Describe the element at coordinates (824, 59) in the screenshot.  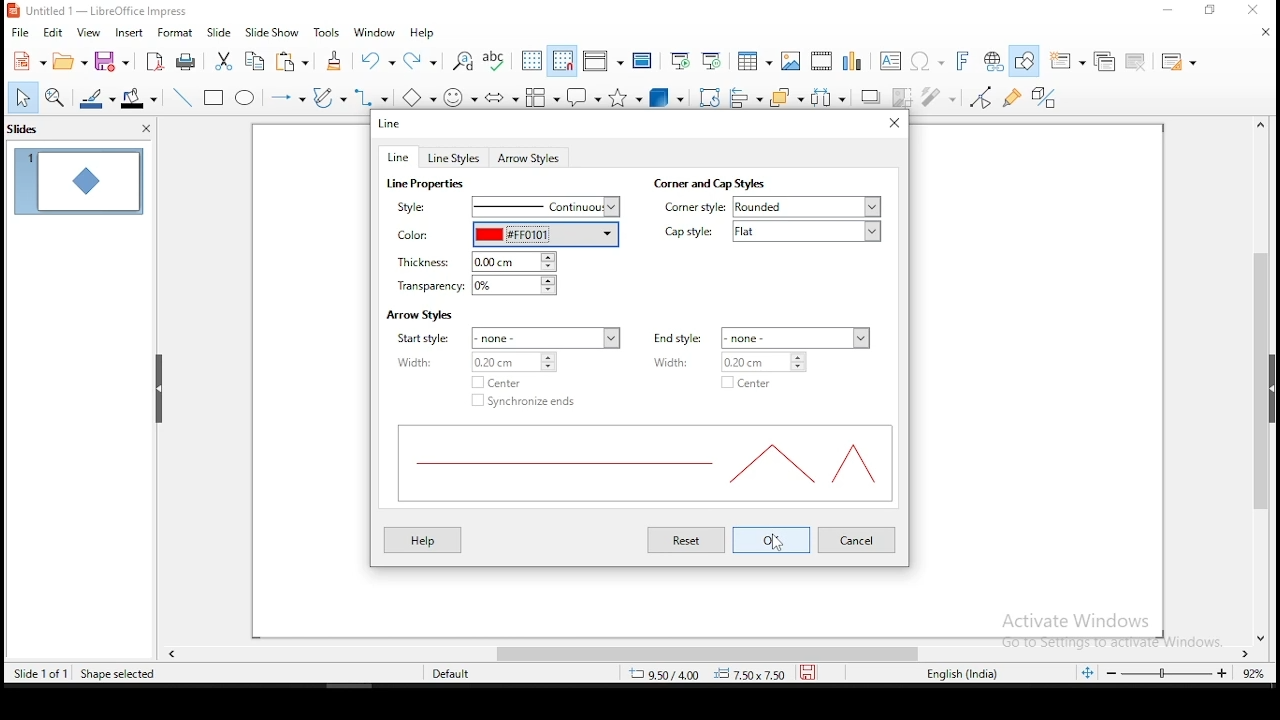
I see `insert audio or video` at that location.